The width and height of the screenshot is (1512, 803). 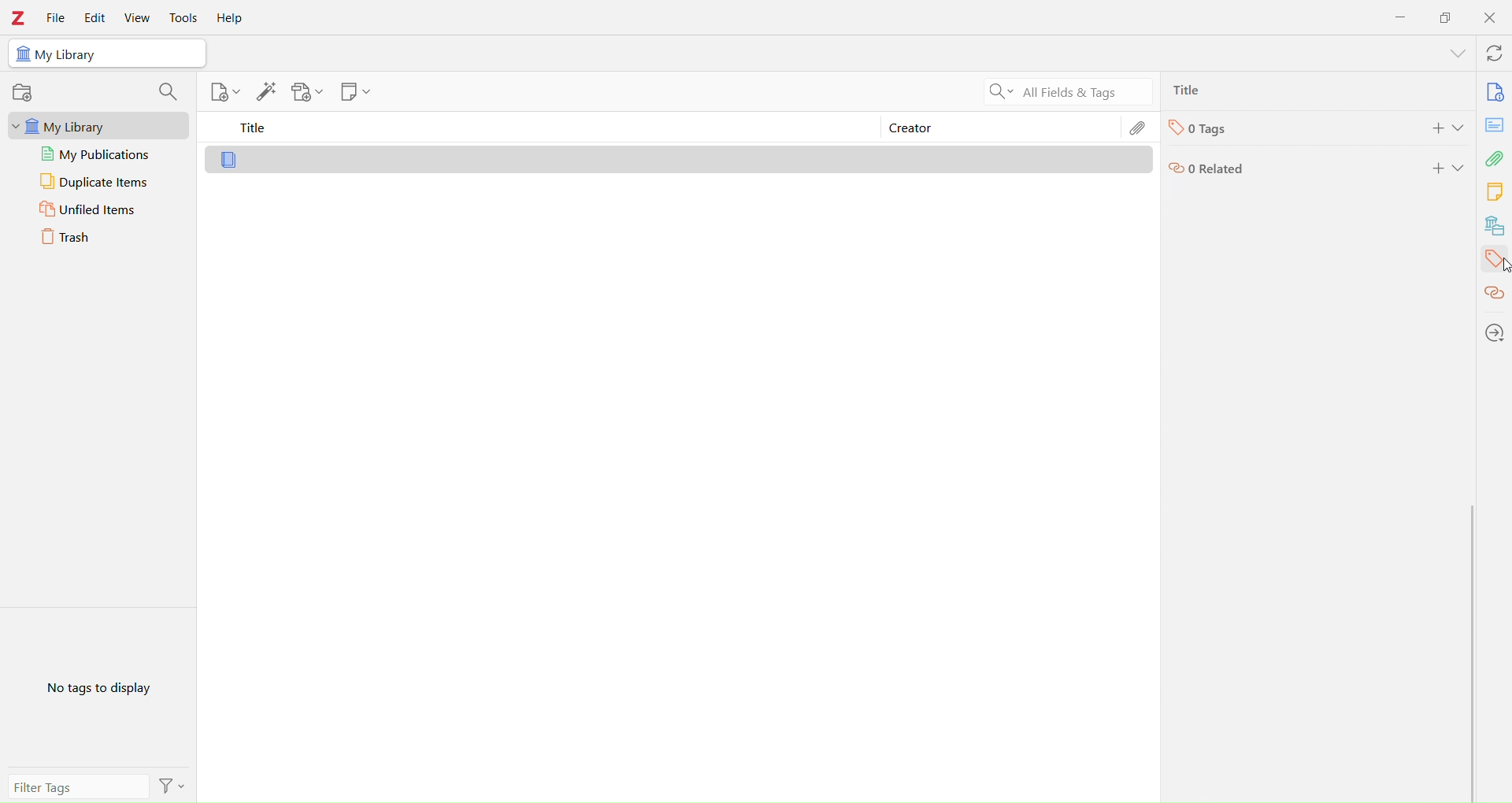 What do you see at coordinates (107, 54) in the screenshot?
I see `My Library` at bounding box center [107, 54].